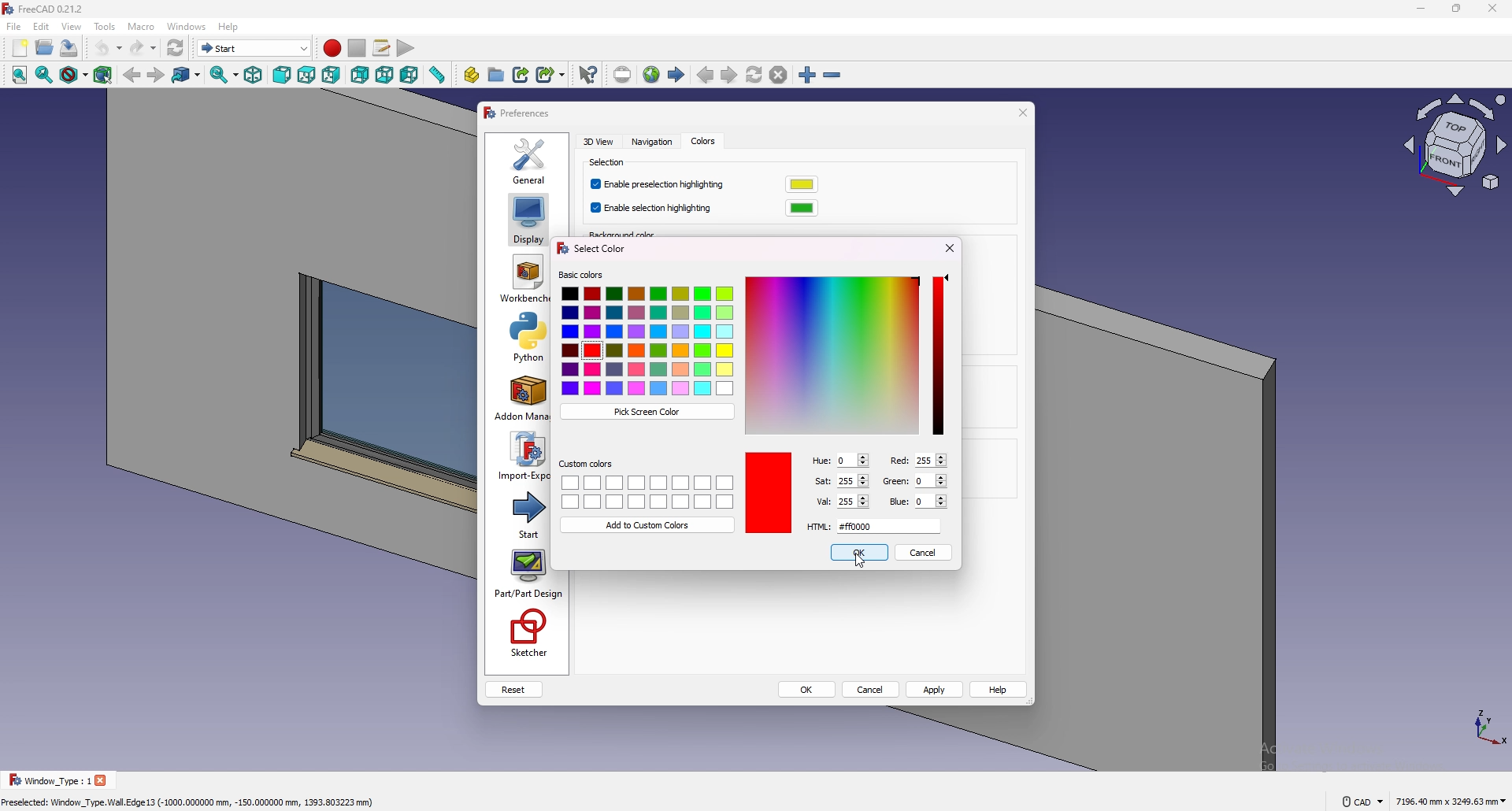 Image resolution: width=1512 pixels, height=811 pixels. What do you see at coordinates (176, 48) in the screenshot?
I see `refresh` at bounding box center [176, 48].